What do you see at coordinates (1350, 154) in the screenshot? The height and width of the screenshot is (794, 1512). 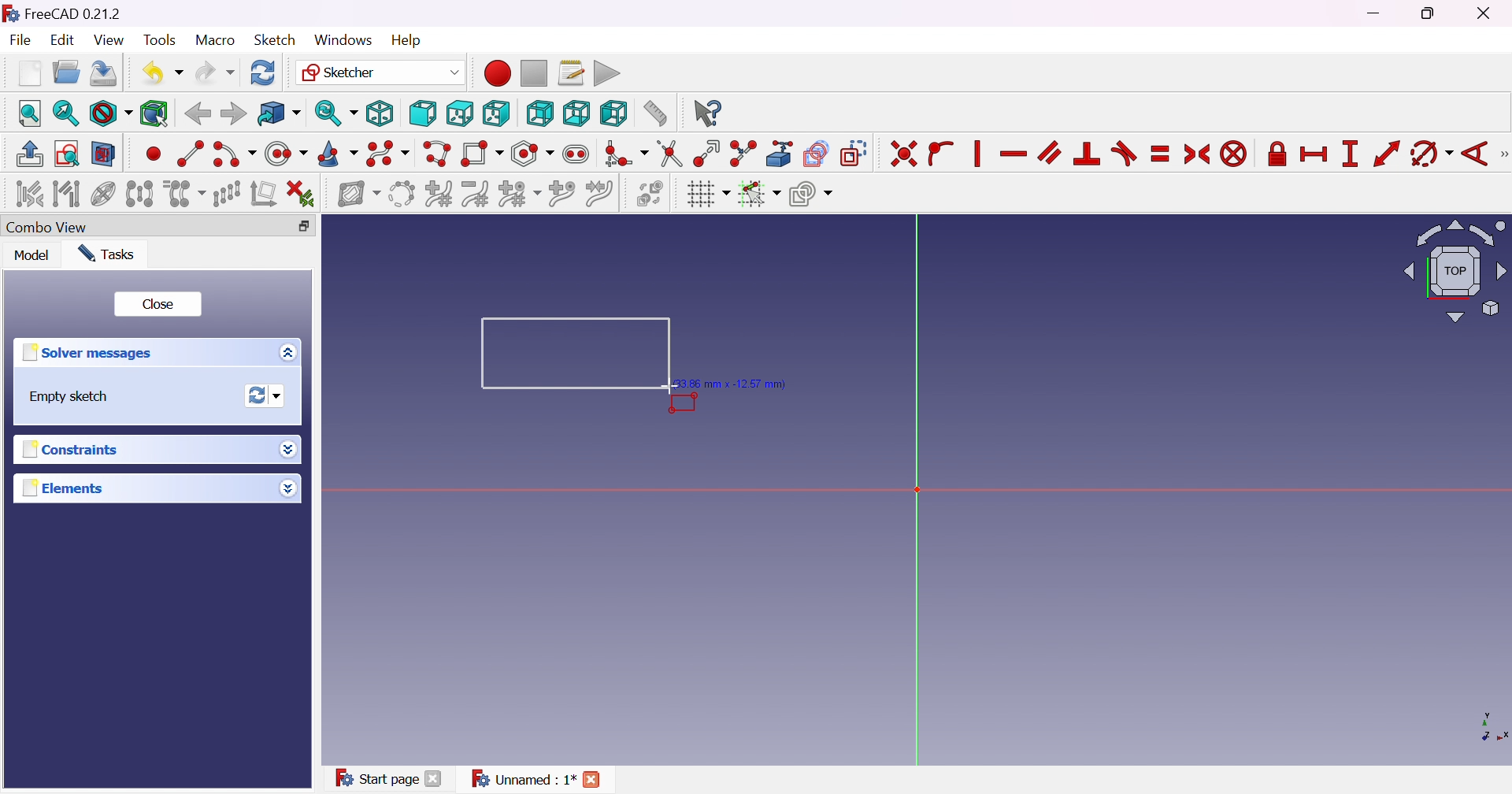 I see `Constrain vertical distance` at bounding box center [1350, 154].